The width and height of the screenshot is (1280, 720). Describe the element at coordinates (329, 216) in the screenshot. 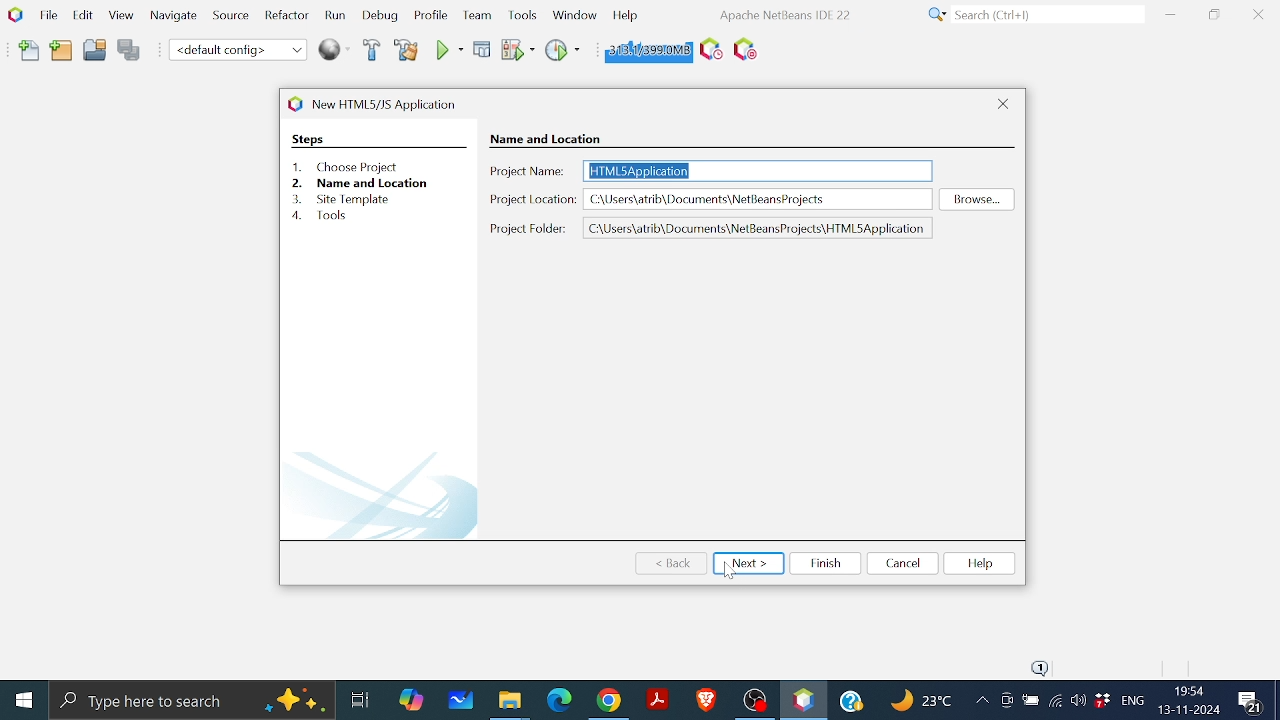

I see `4. Tools` at that location.